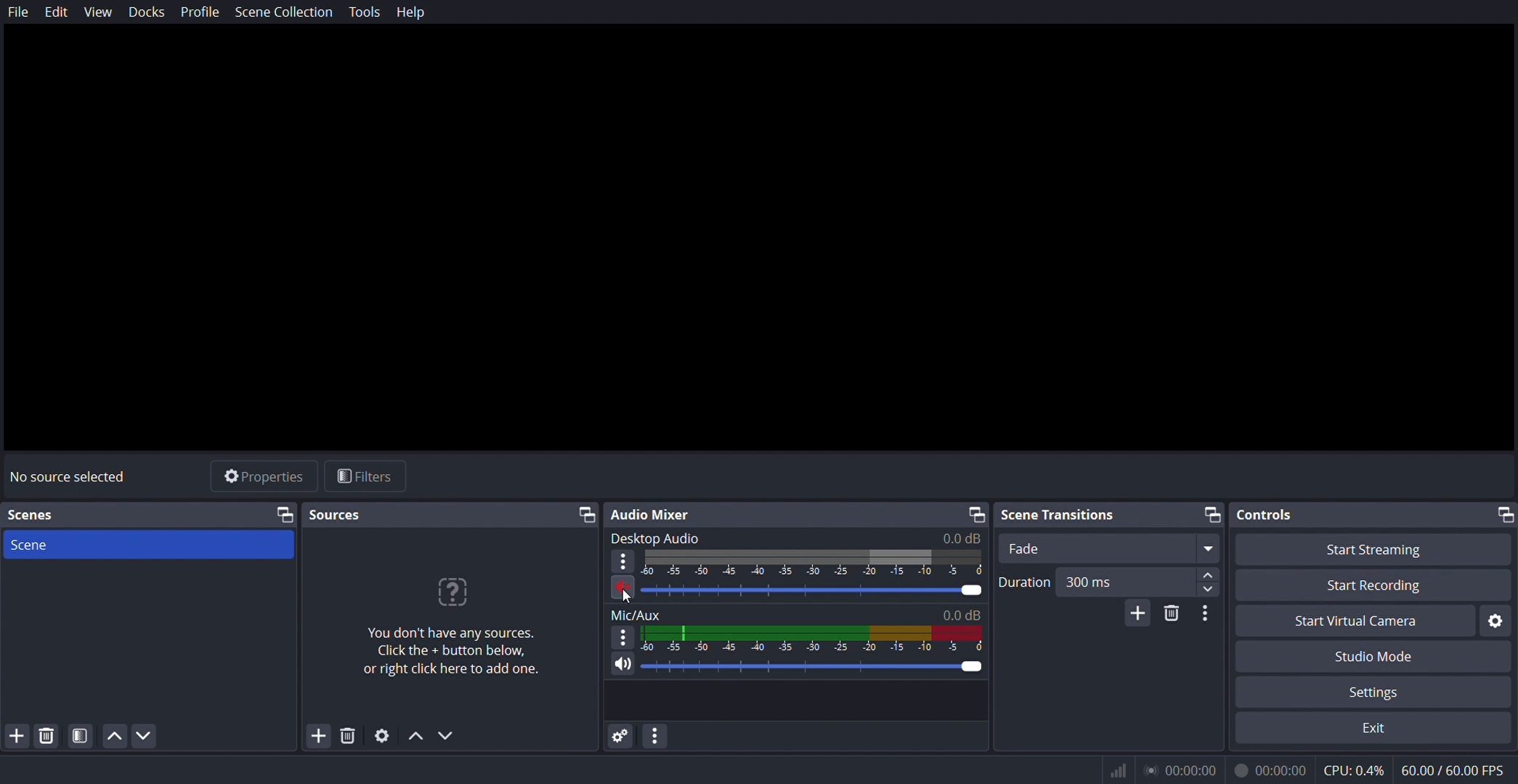 The image size is (1518, 784). I want to click on move up, so click(416, 735).